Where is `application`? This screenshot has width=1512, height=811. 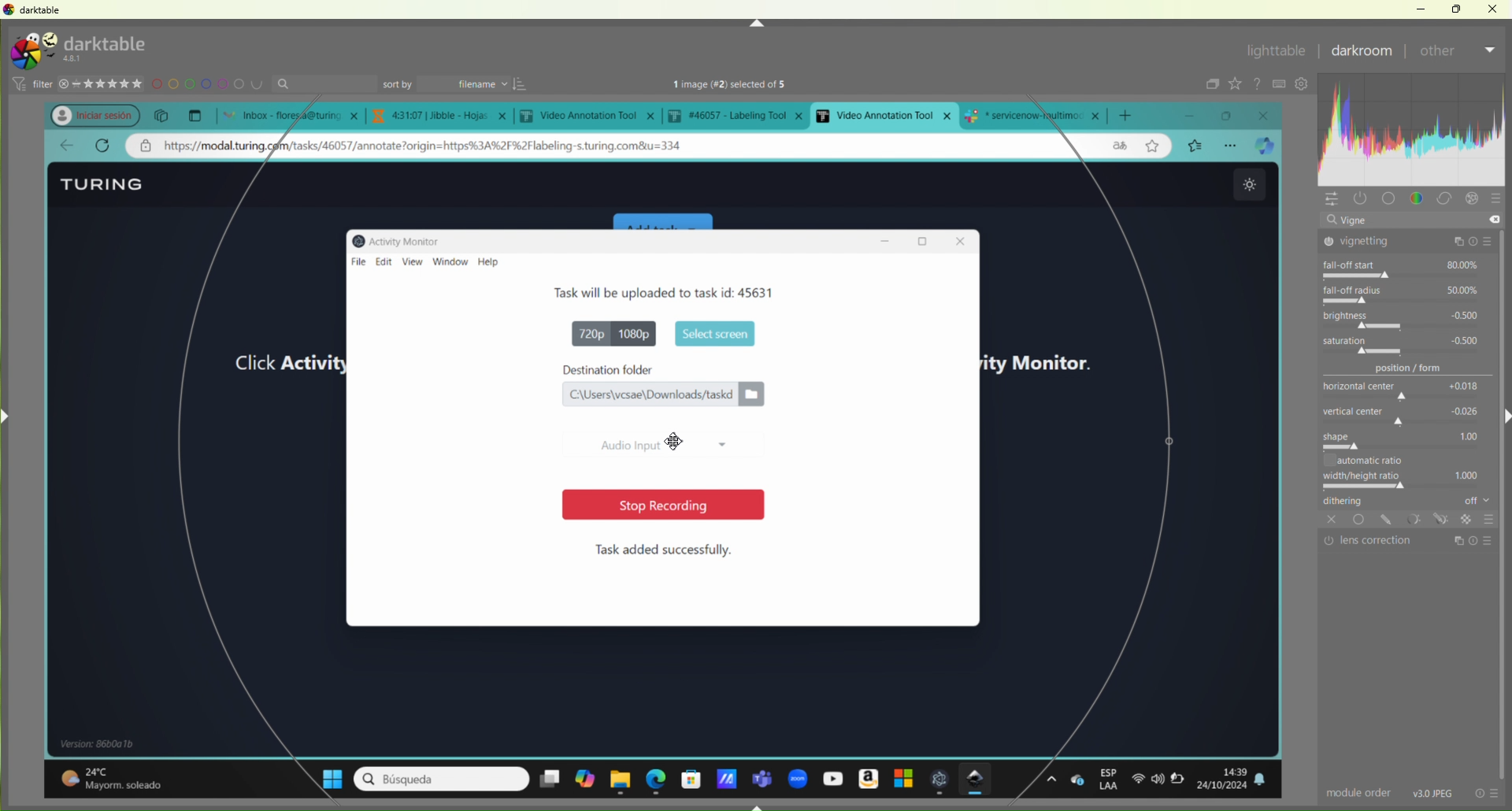 application is located at coordinates (725, 775).